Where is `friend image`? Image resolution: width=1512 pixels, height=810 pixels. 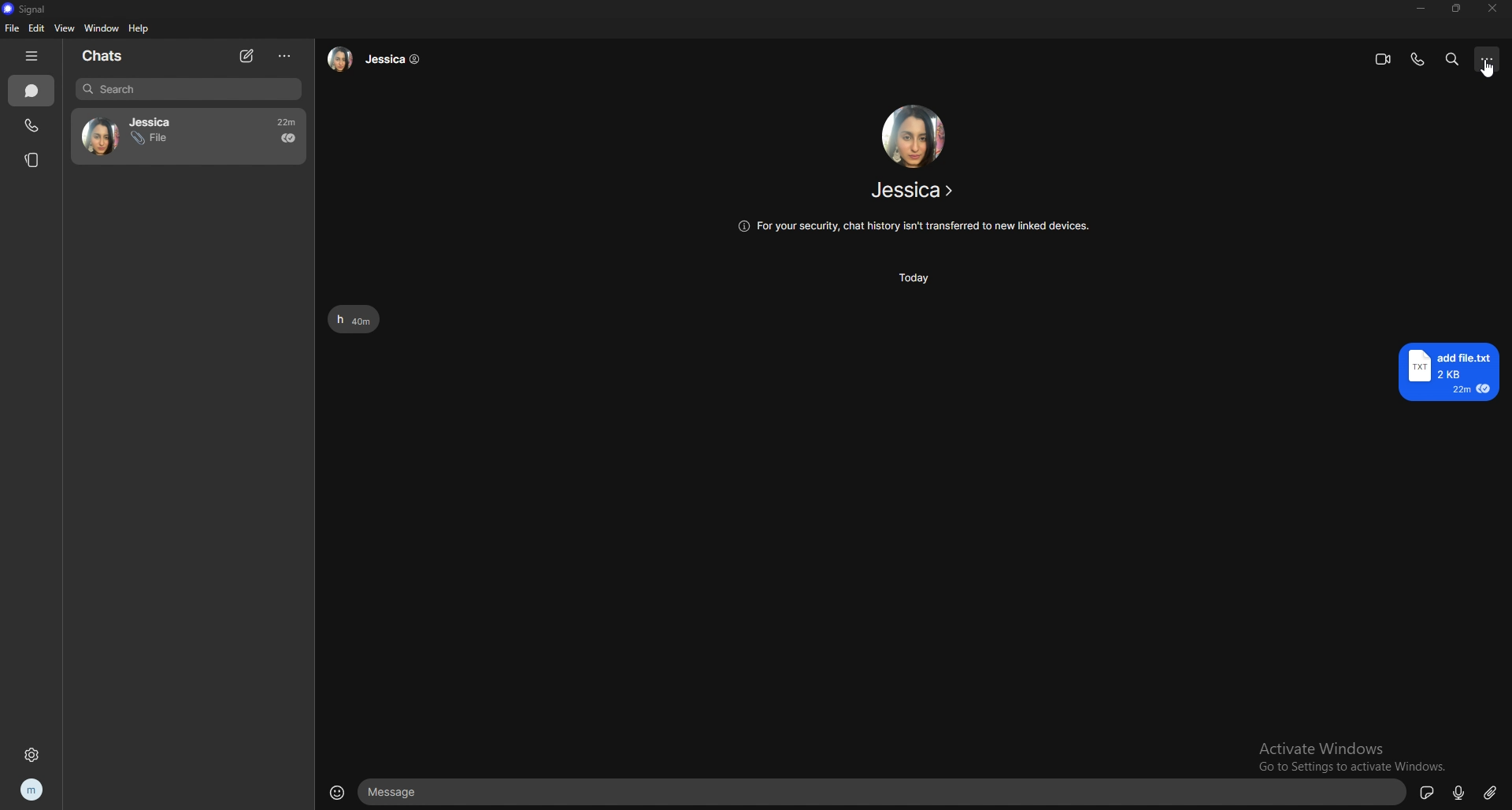
friend image is located at coordinates (912, 135).